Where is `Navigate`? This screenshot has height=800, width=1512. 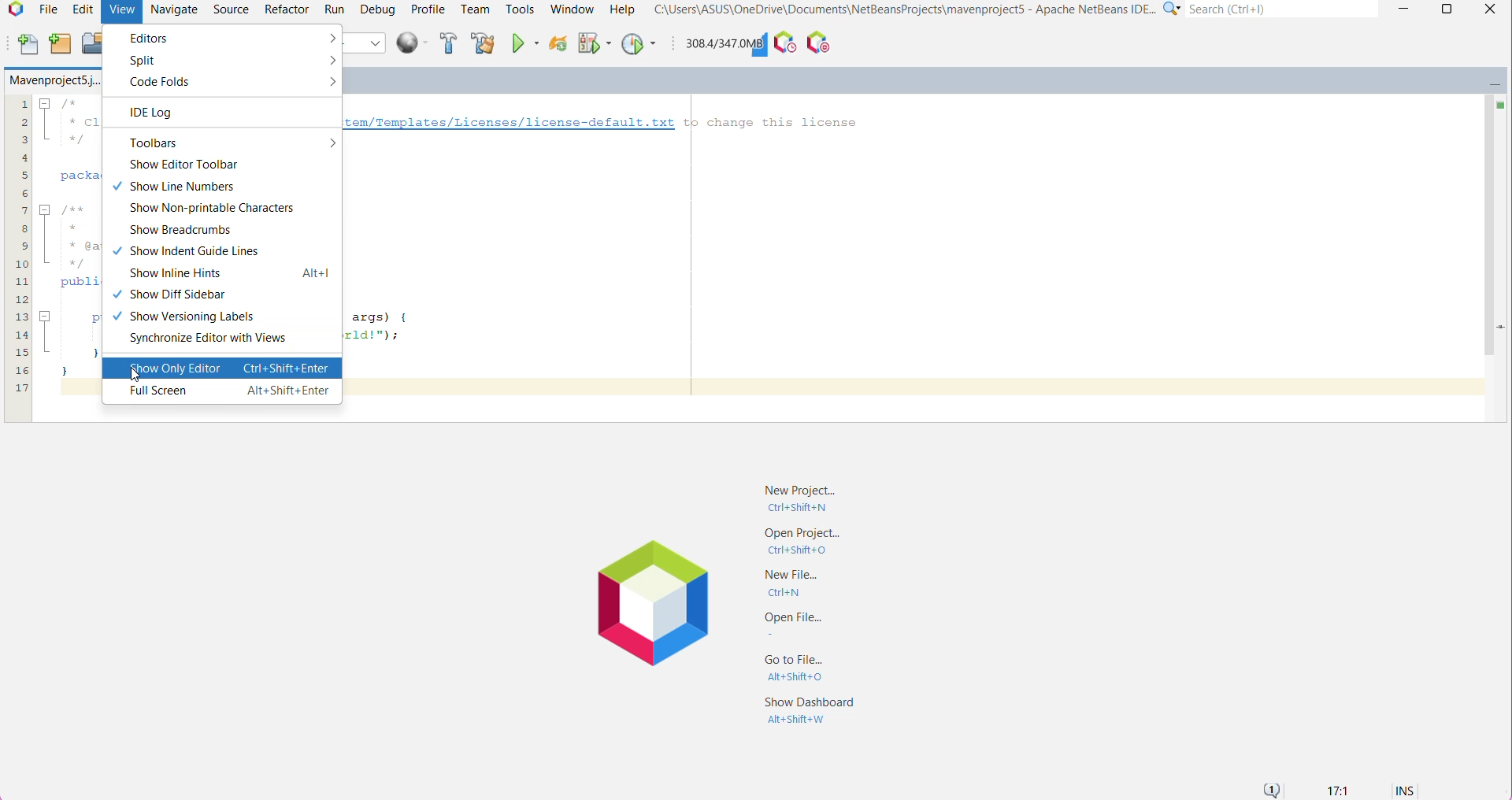 Navigate is located at coordinates (175, 9).